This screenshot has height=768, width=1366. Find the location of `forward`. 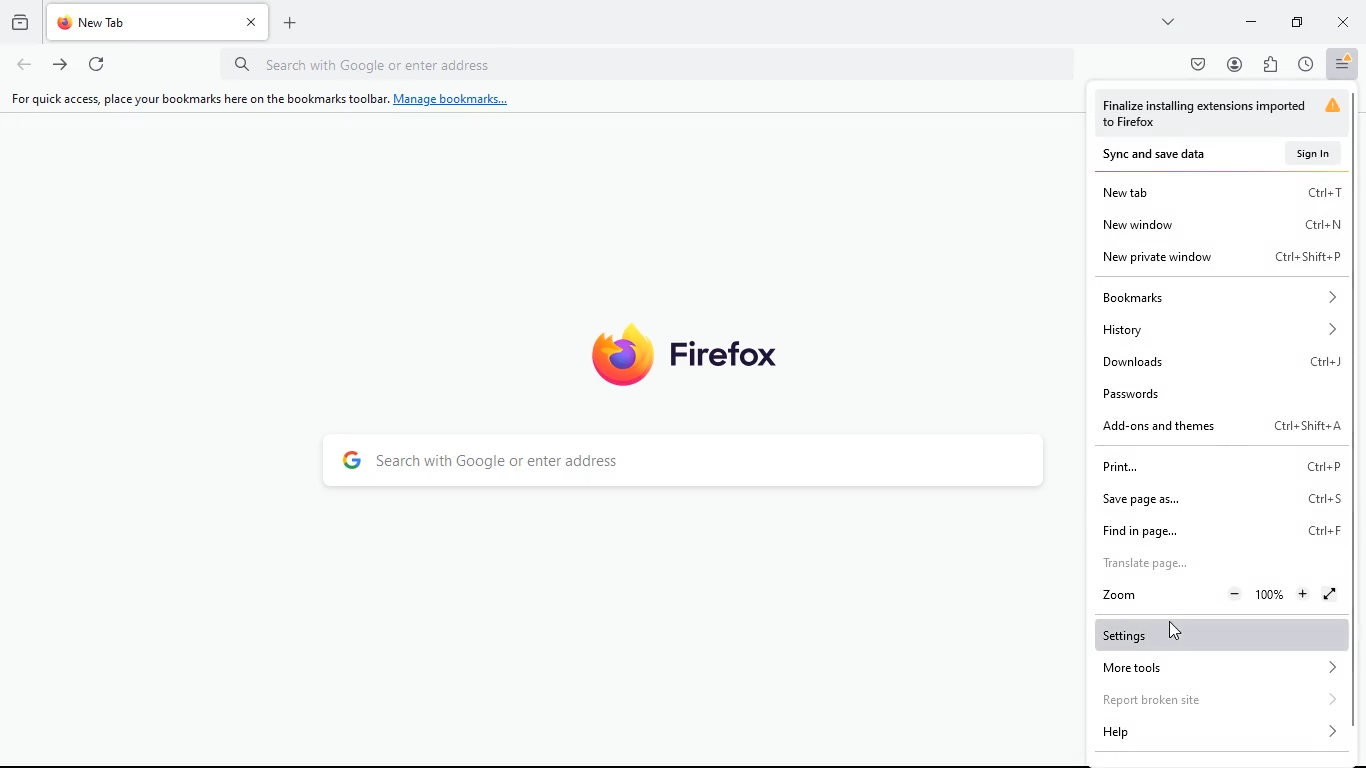

forward is located at coordinates (59, 64).